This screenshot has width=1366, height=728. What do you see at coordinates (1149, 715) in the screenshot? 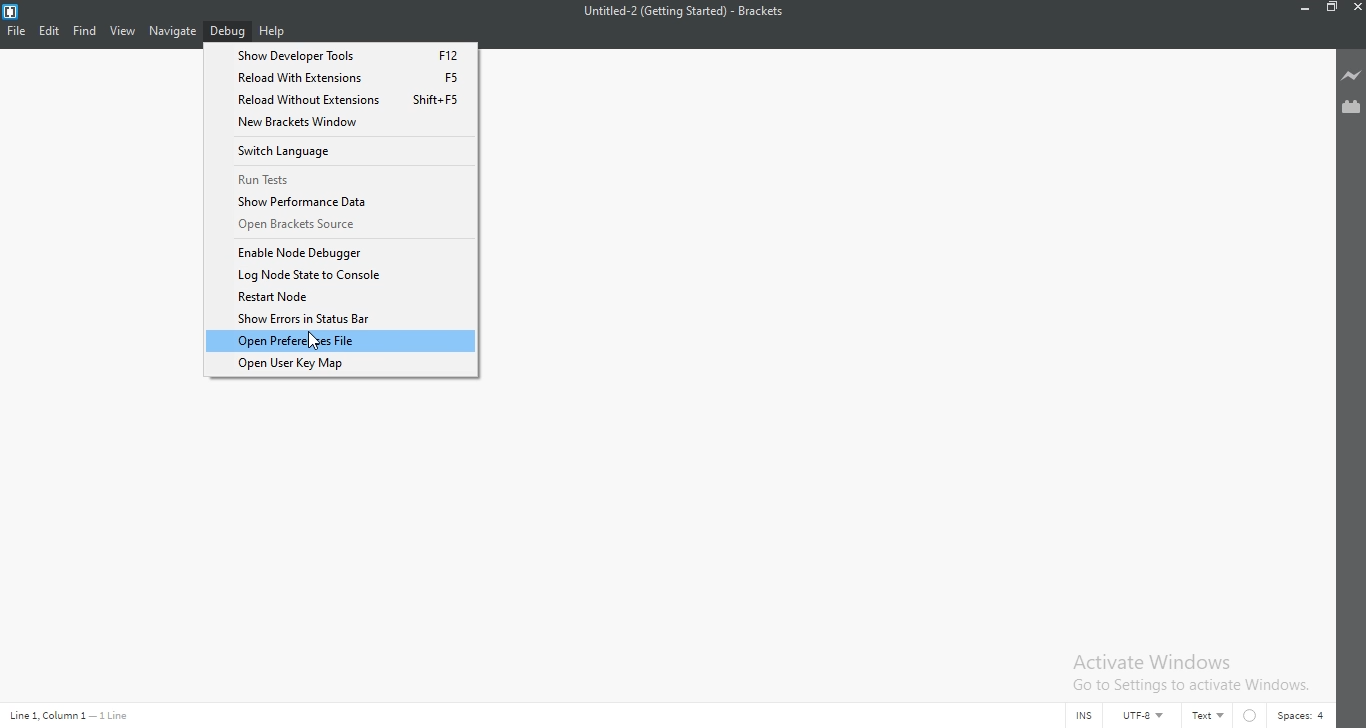
I see `UTF-8` at bounding box center [1149, 715].